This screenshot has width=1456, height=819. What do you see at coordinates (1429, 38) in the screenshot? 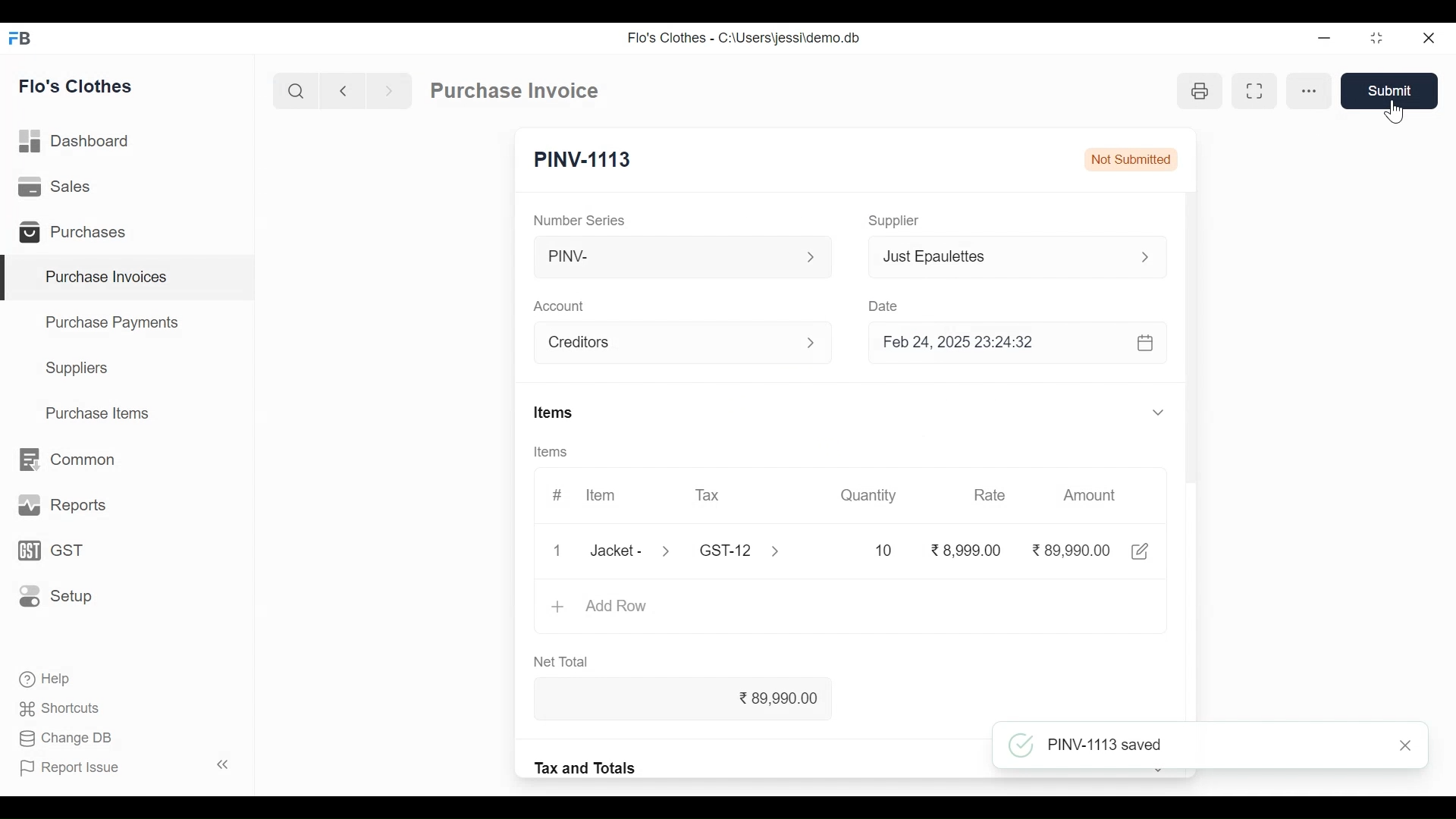
I see `Close` at bounding box center [1429, 38].